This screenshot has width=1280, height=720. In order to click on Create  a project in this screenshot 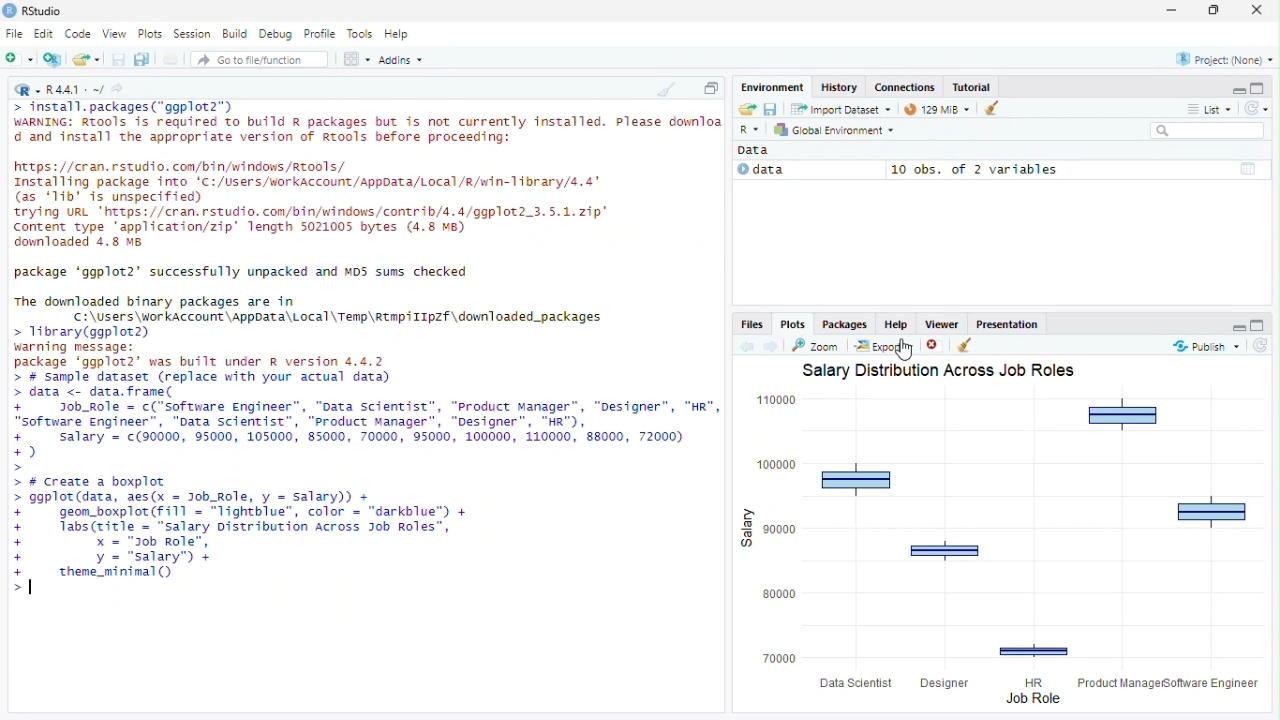, I will do `click(54, 59)`.